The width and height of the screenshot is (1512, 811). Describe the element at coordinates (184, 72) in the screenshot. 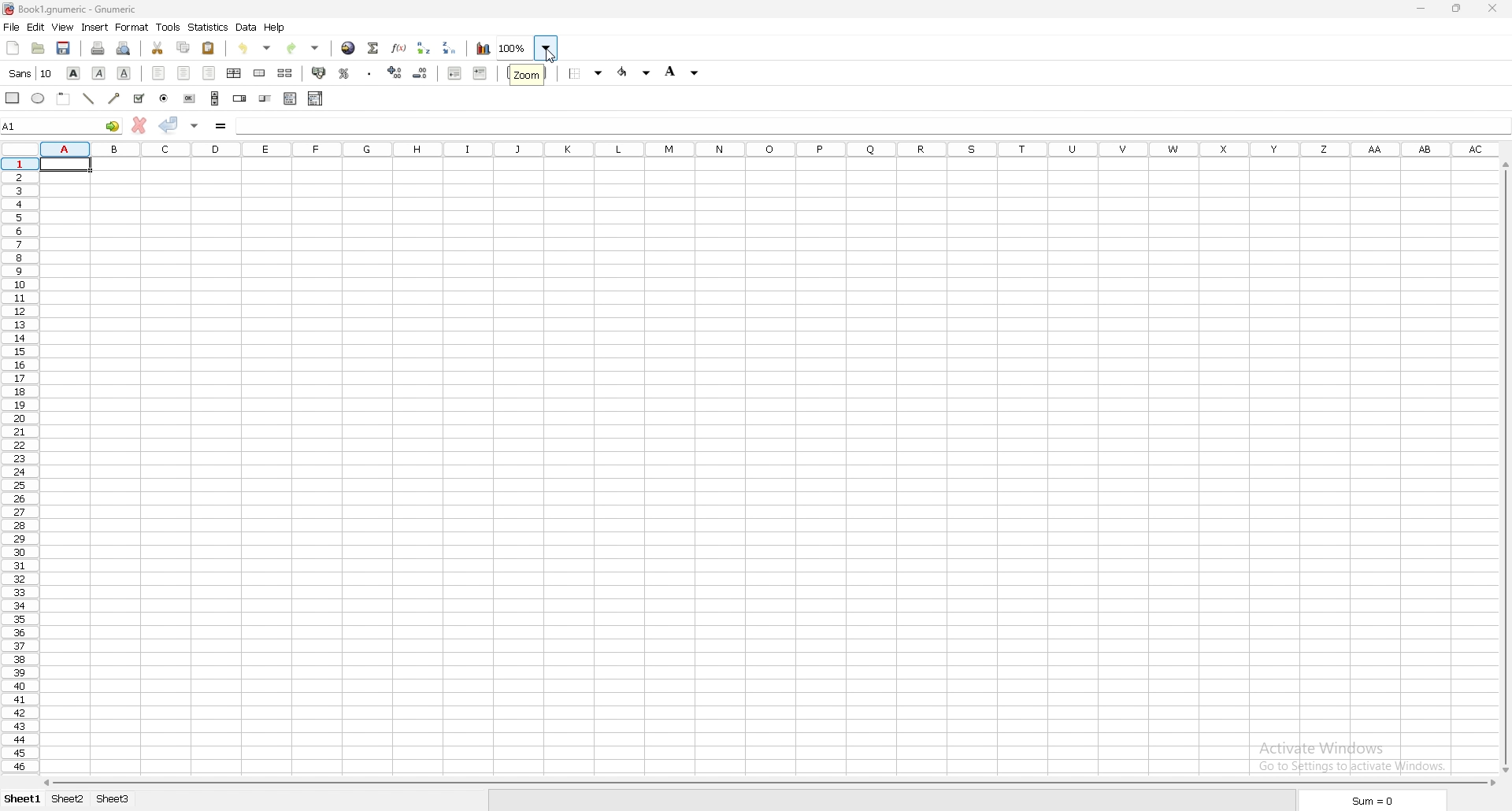

I see `center` at that location.